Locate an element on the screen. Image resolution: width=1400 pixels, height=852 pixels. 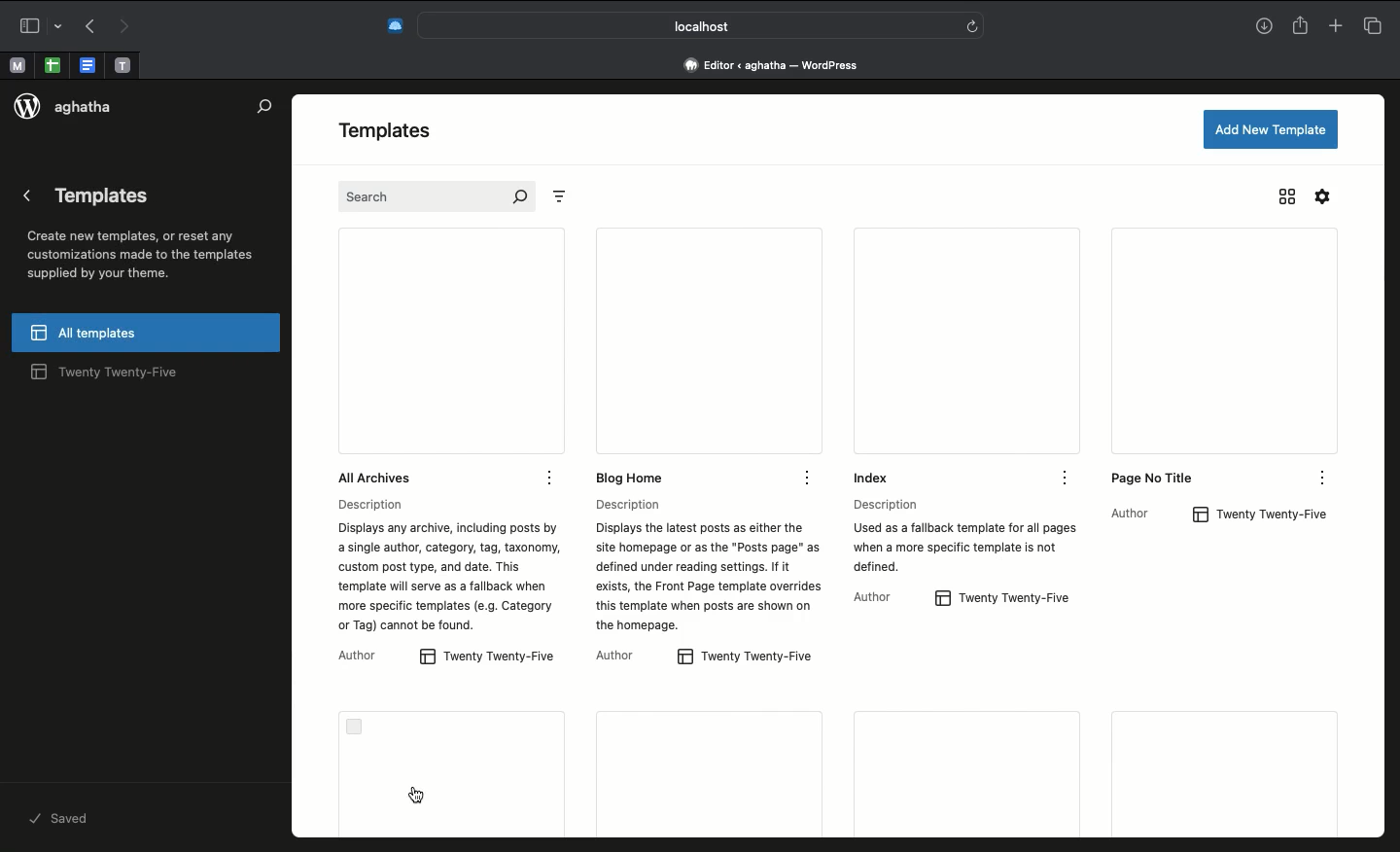
Downlaods is located at coordinates (1264, 28).